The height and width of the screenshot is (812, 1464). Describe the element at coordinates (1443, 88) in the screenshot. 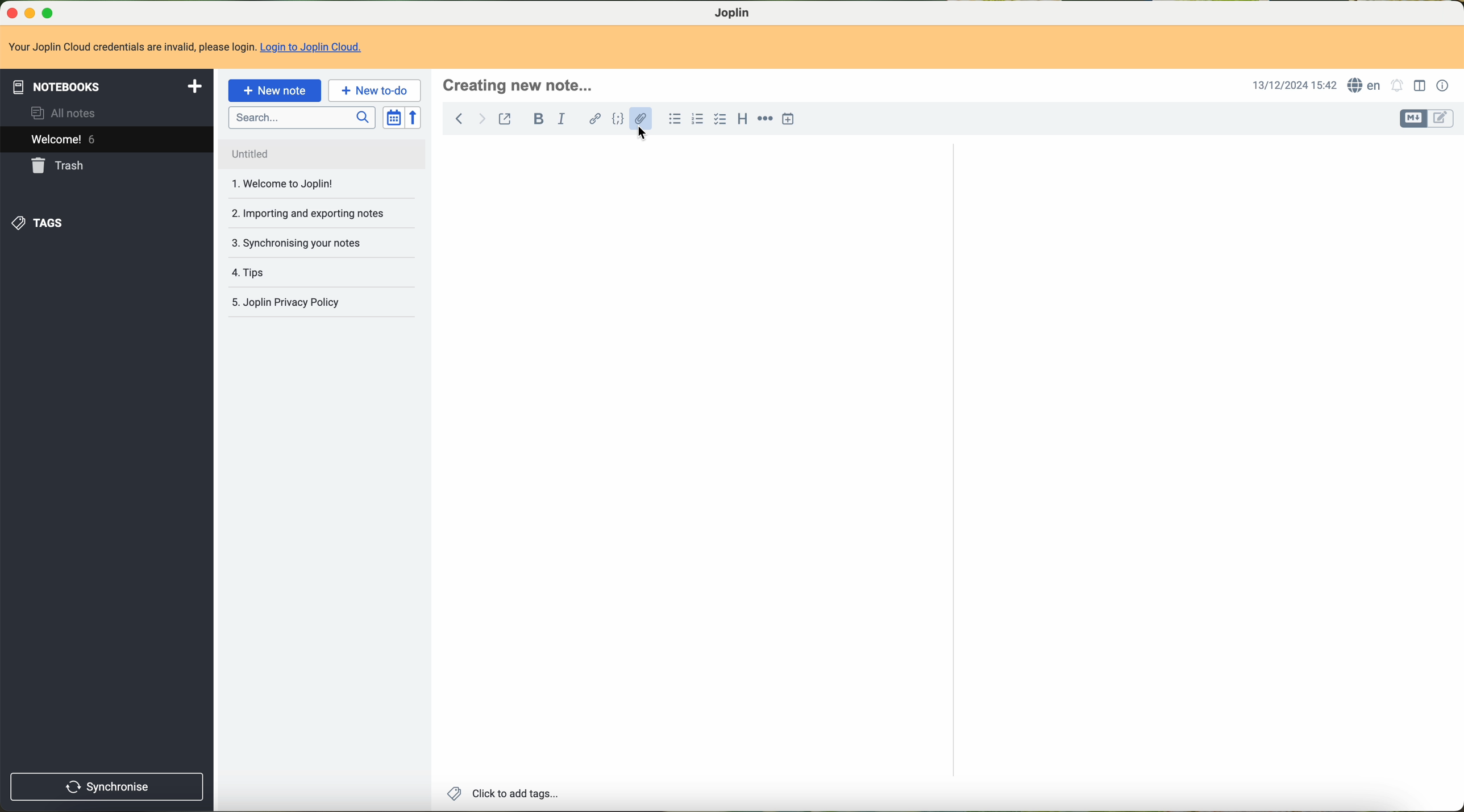

I see `note properties` at that location.